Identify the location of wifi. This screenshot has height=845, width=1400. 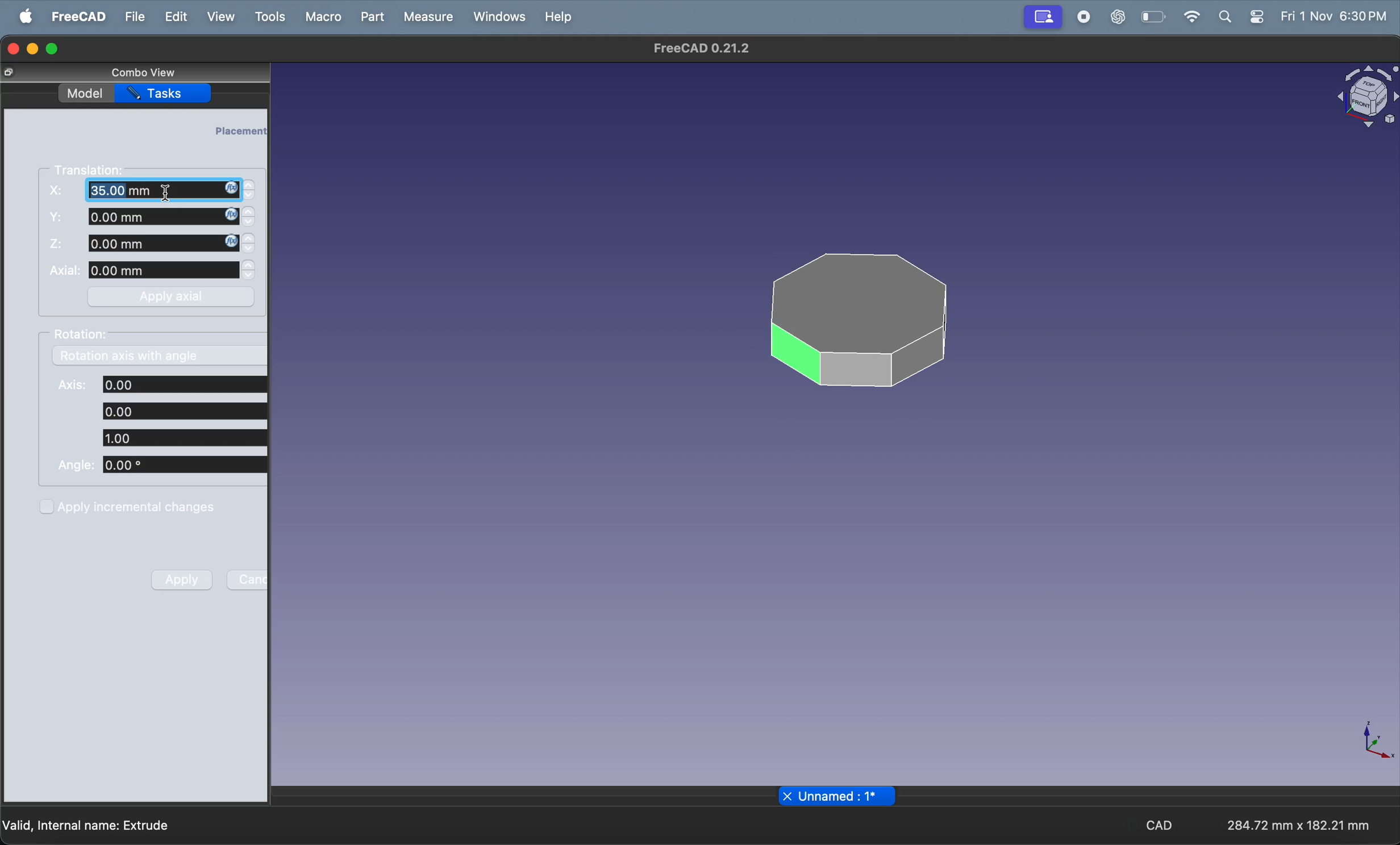
(1189, 16).